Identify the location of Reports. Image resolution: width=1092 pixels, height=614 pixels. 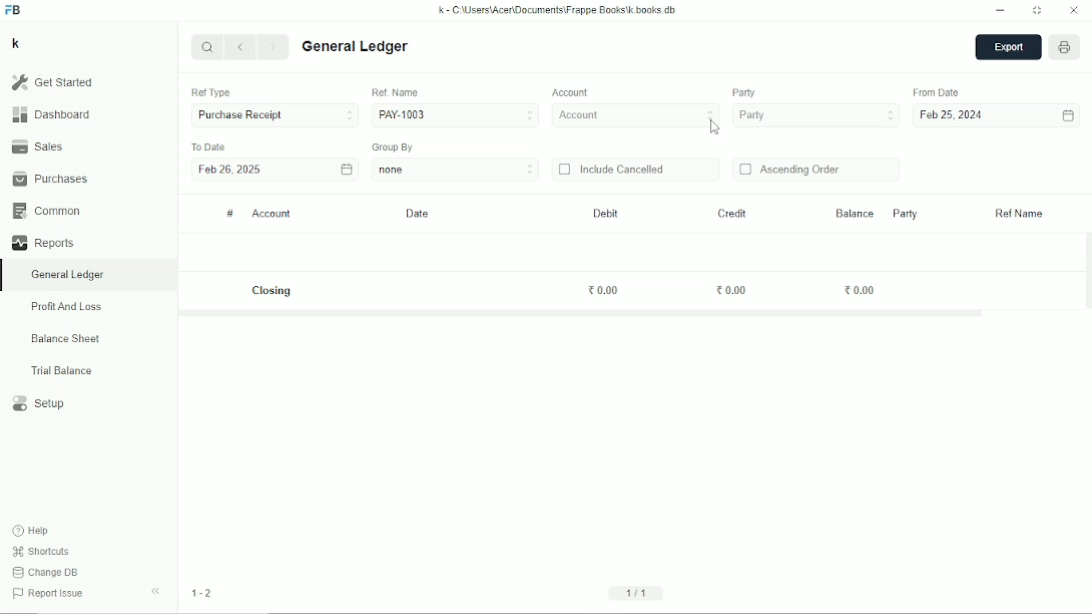
(42, 243).